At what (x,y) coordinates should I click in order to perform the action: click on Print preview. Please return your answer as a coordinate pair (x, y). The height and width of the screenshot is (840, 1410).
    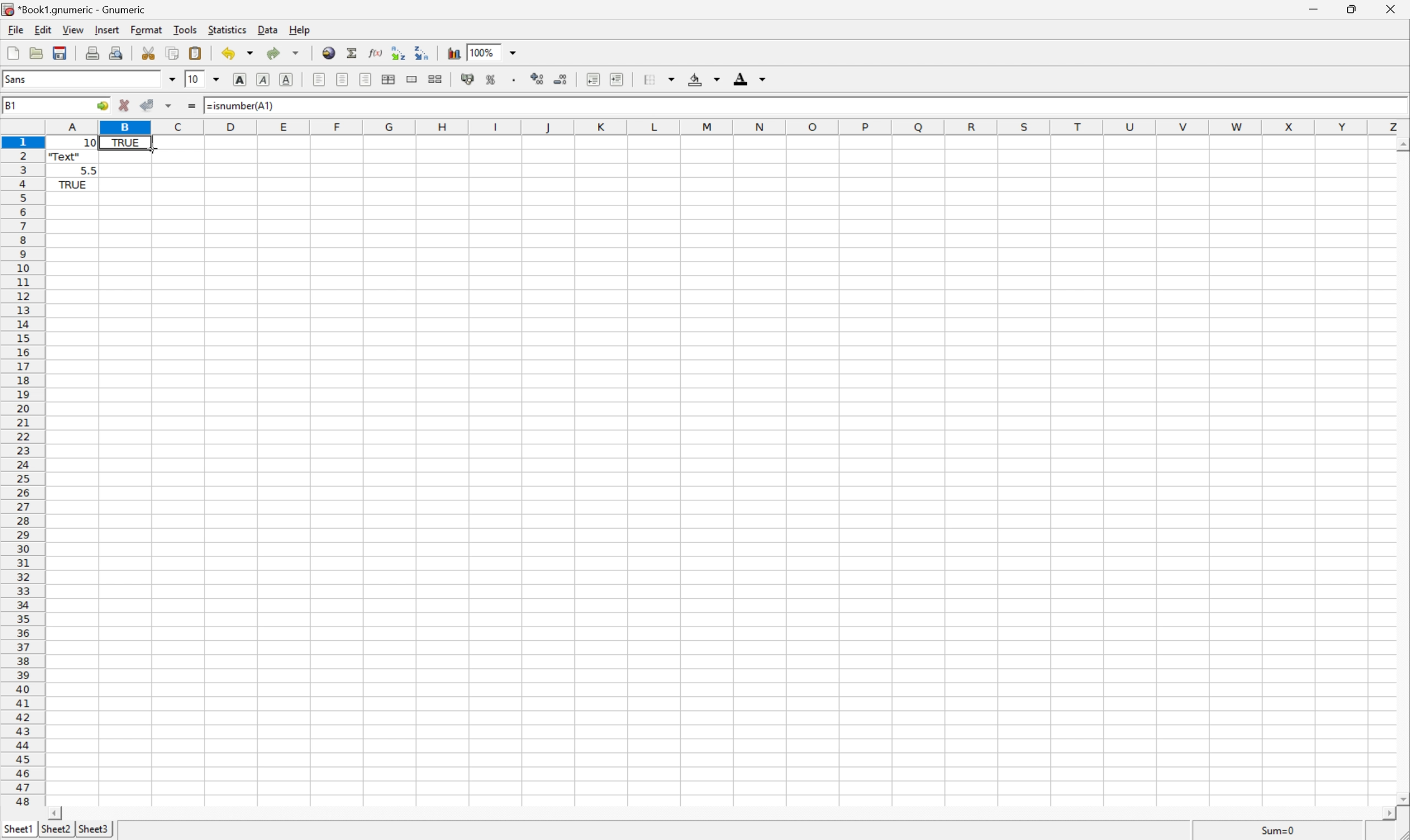
    Looking at the image, I should click on (117, 52).